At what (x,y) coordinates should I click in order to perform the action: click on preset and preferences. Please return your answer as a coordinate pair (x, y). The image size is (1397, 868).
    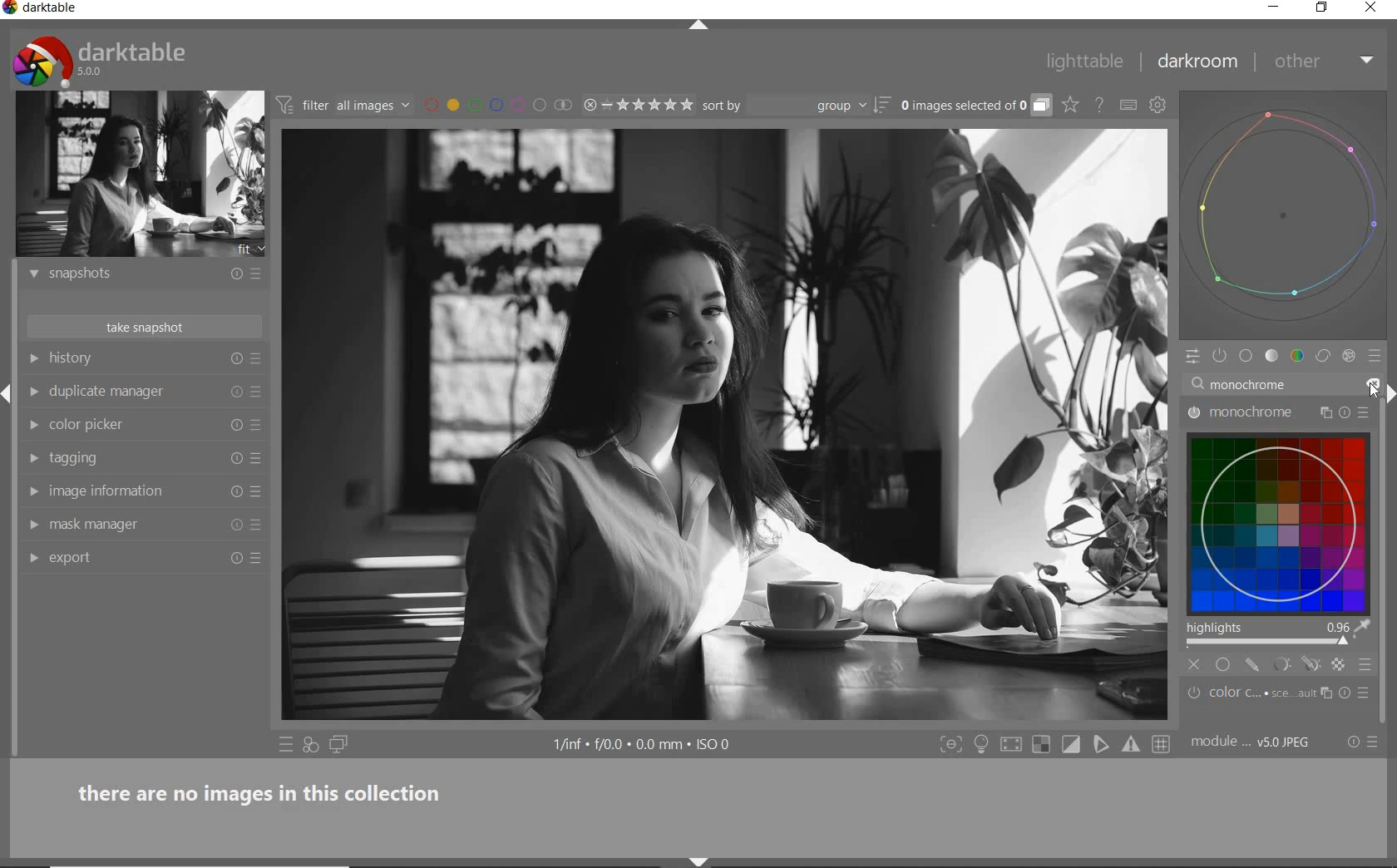
    Looking at the image, I should click on (257, 392).